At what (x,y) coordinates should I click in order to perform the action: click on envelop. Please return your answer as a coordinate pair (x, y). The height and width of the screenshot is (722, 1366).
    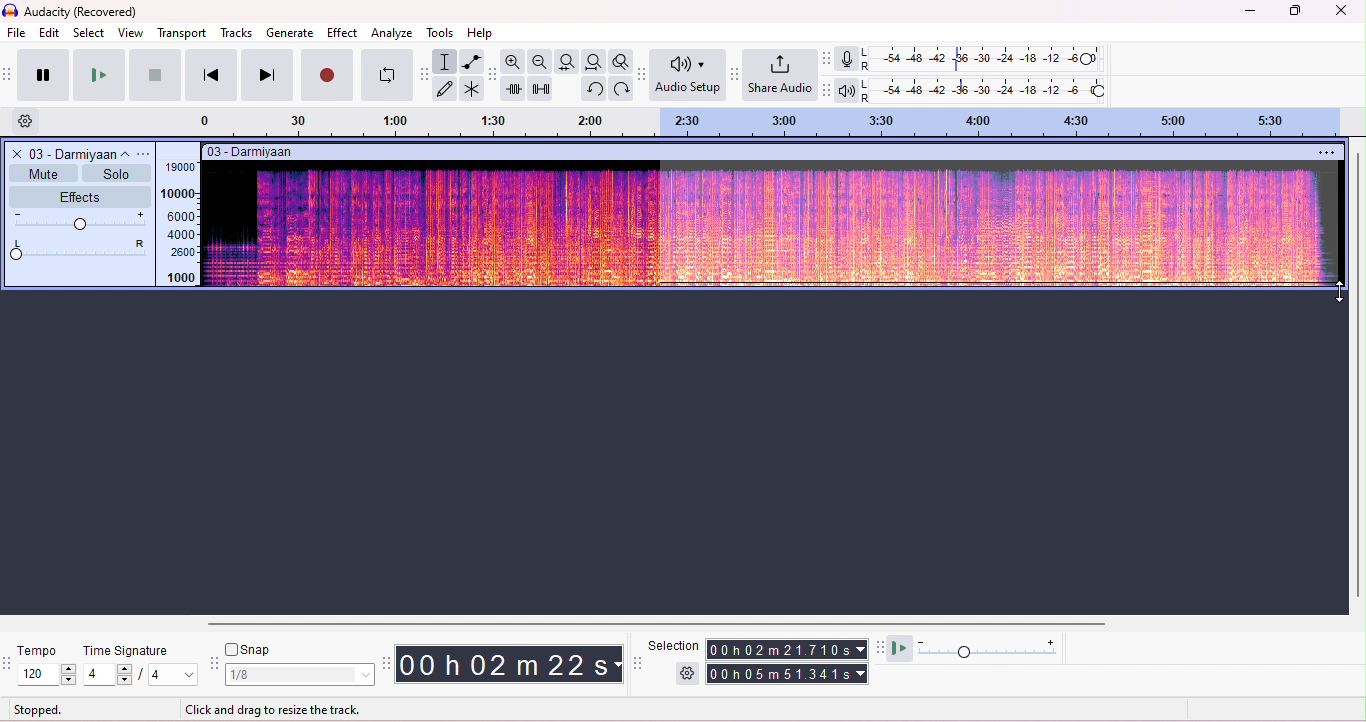
    Looking at the image, I should click on (470, 61).